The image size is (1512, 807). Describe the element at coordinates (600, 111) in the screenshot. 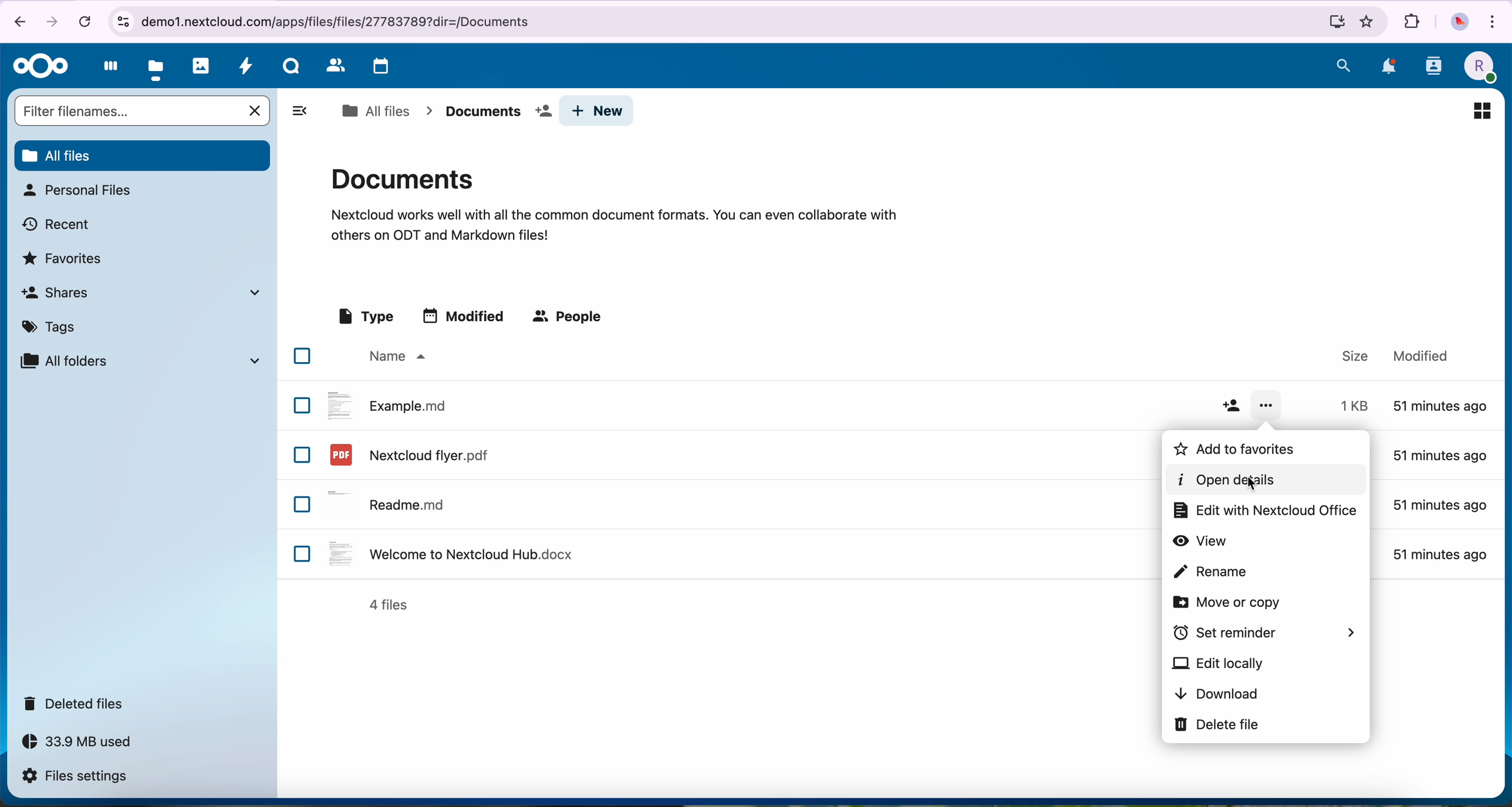

I see `new button` at that location.